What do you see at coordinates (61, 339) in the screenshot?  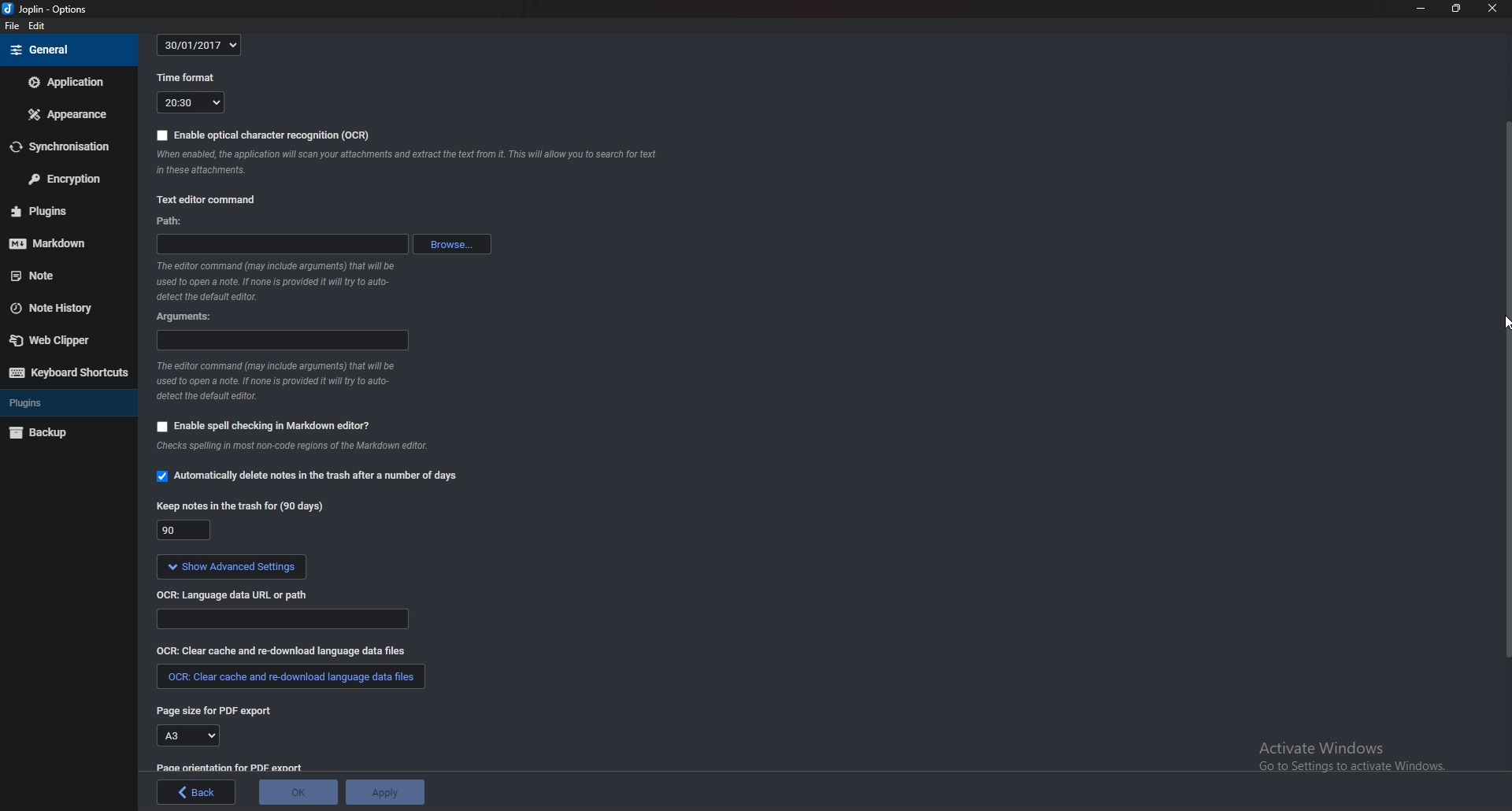 I see `Web clipper` at bounding box center [61, 339].